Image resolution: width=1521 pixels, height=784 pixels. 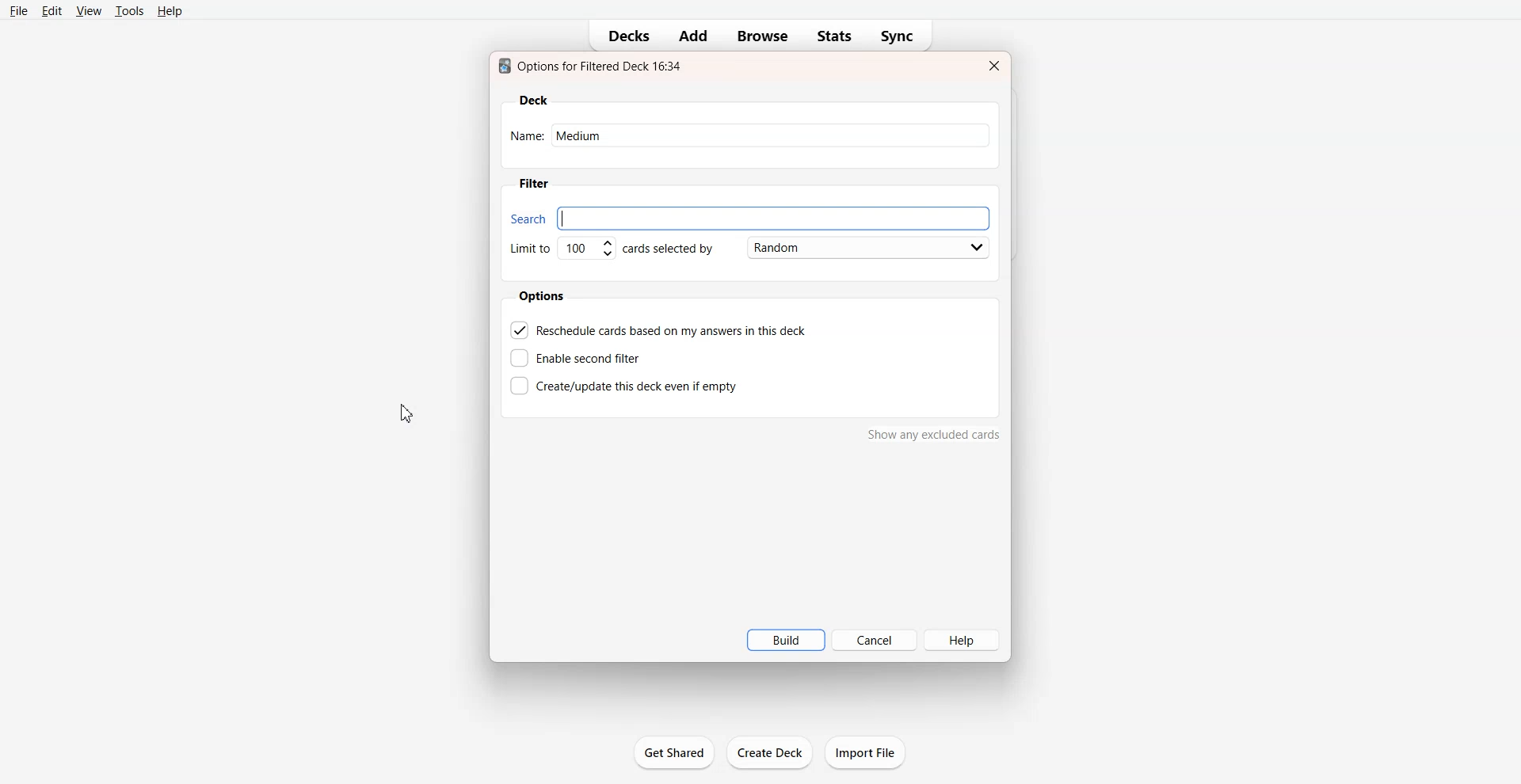 I want to click on Help, so click(x=171, y=11).